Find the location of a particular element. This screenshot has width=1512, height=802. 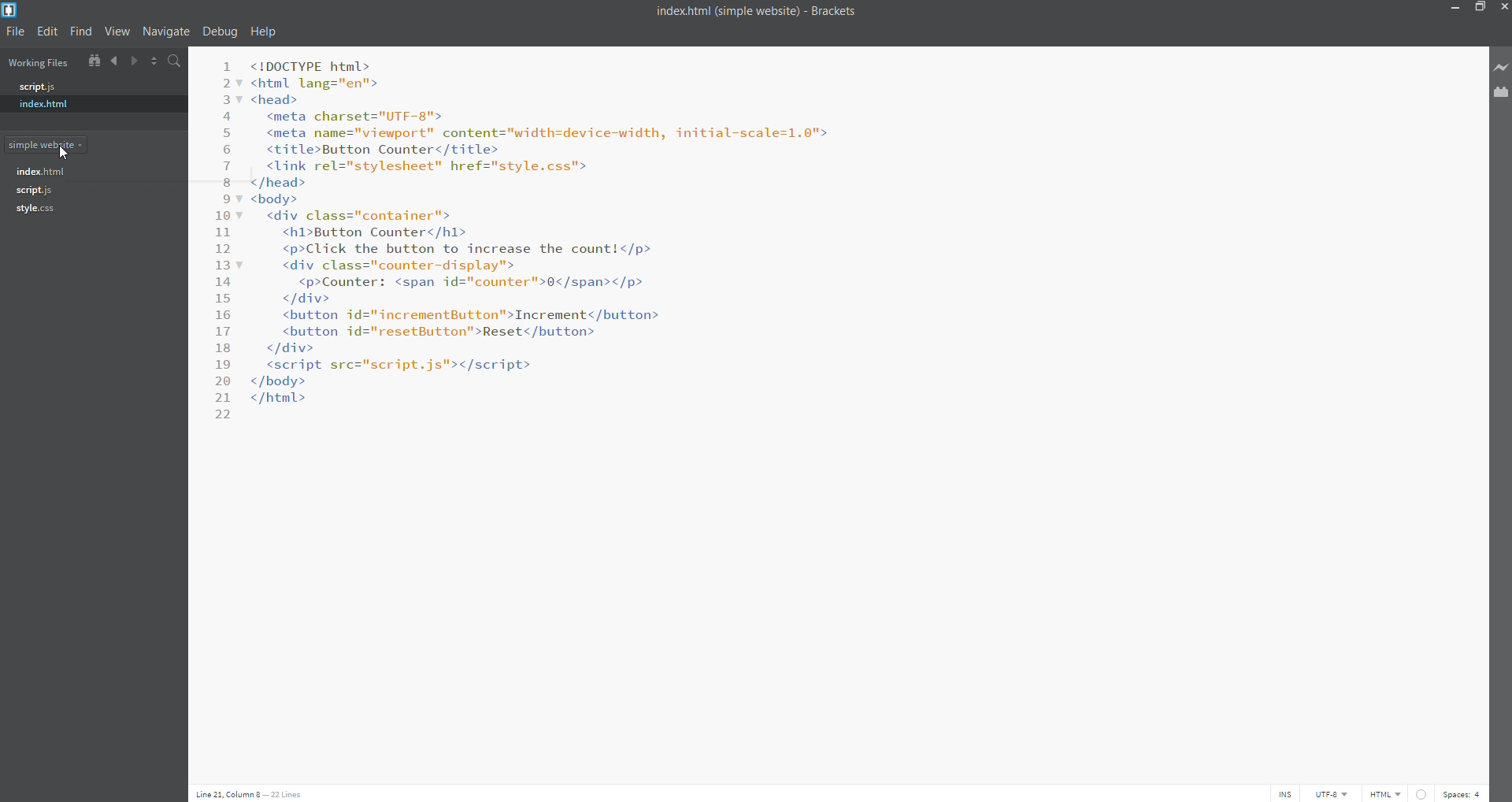

live preview is located at coordinates (1502, 70).